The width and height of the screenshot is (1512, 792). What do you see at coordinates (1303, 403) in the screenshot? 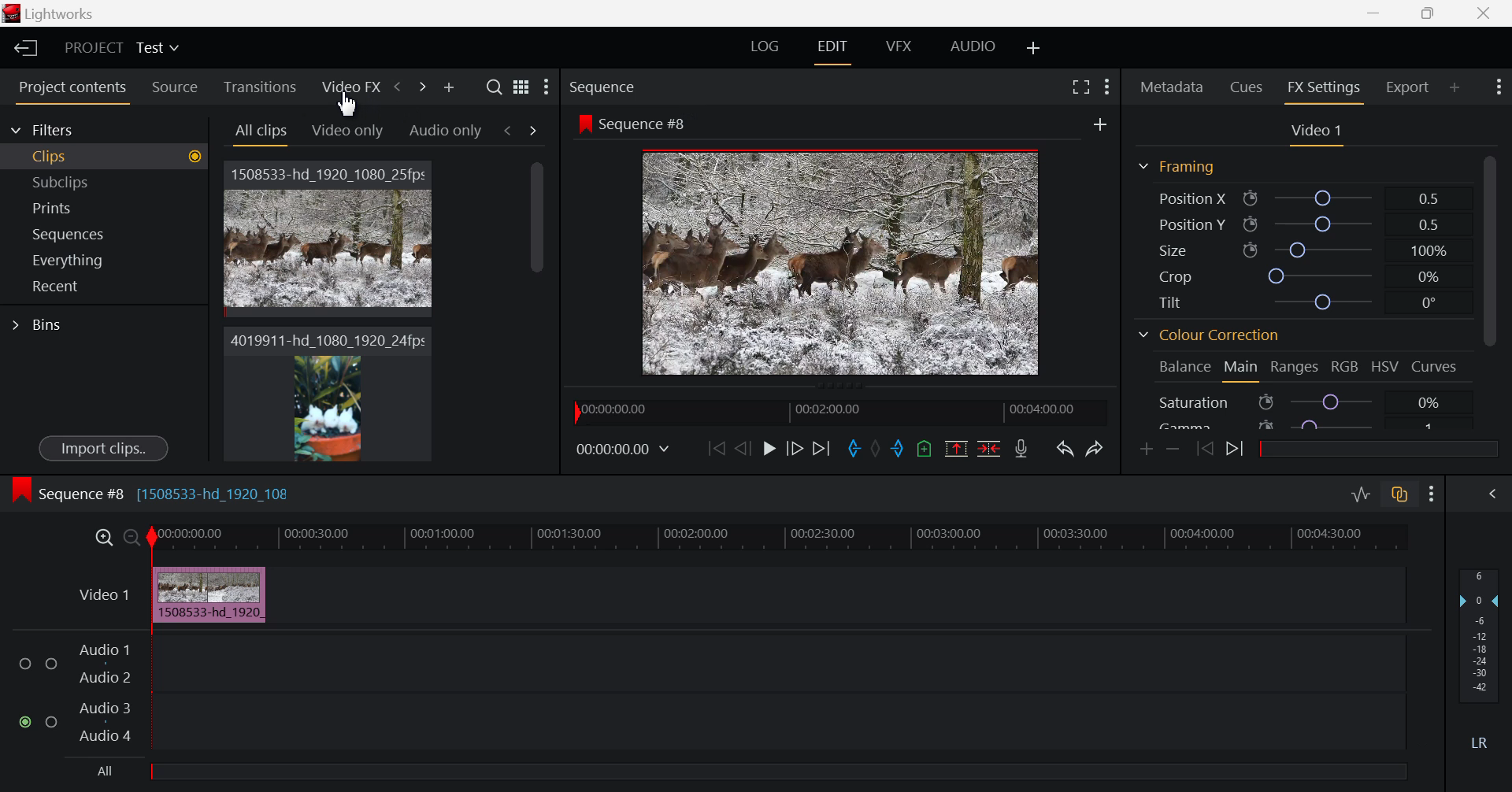
I see `Saturation` at bounding box center [1303, 403].